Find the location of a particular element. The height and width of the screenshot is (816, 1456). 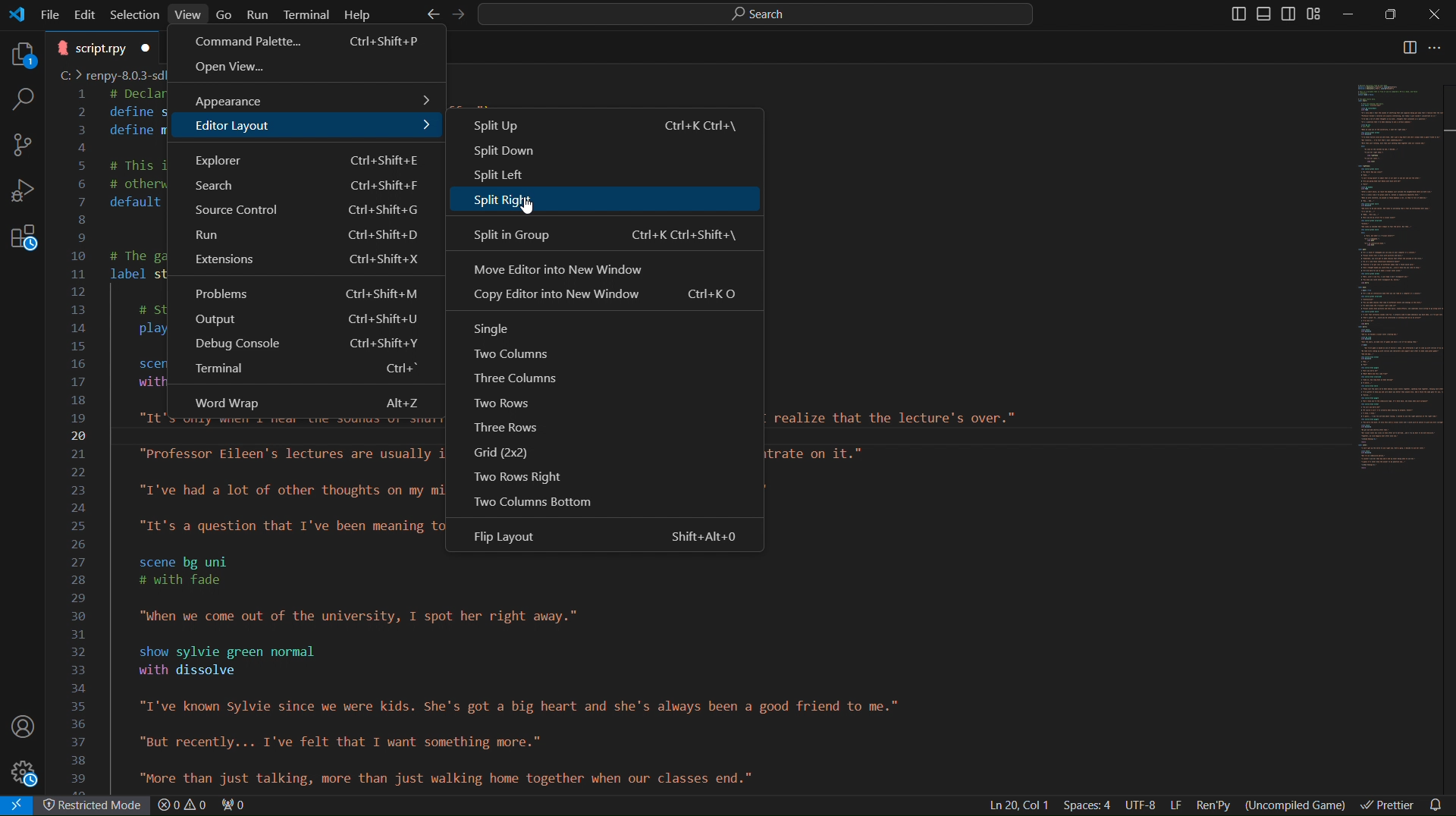

Notification is located at coordinates (1439, 804).